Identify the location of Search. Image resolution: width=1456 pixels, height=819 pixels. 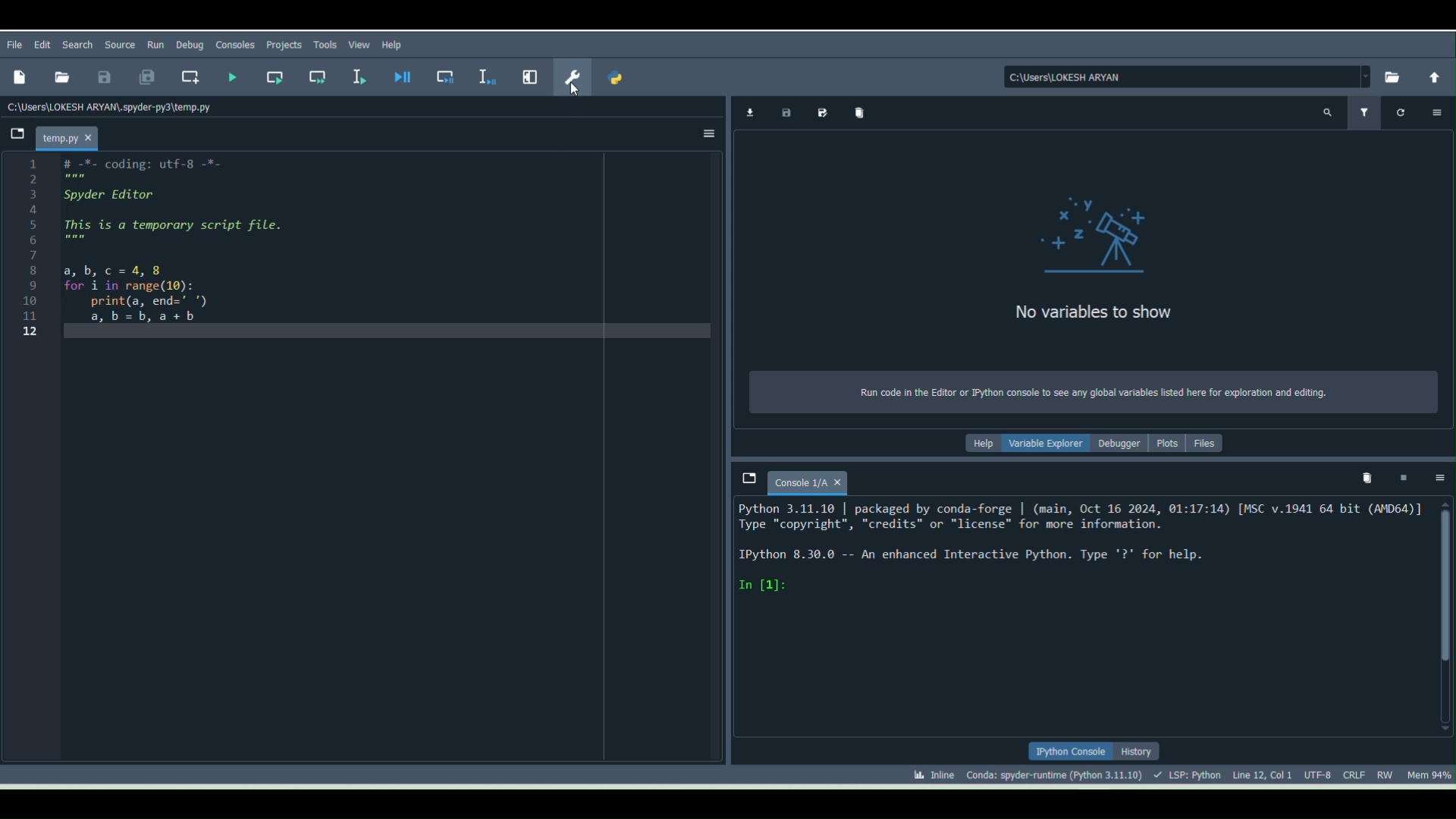
(76, 43).